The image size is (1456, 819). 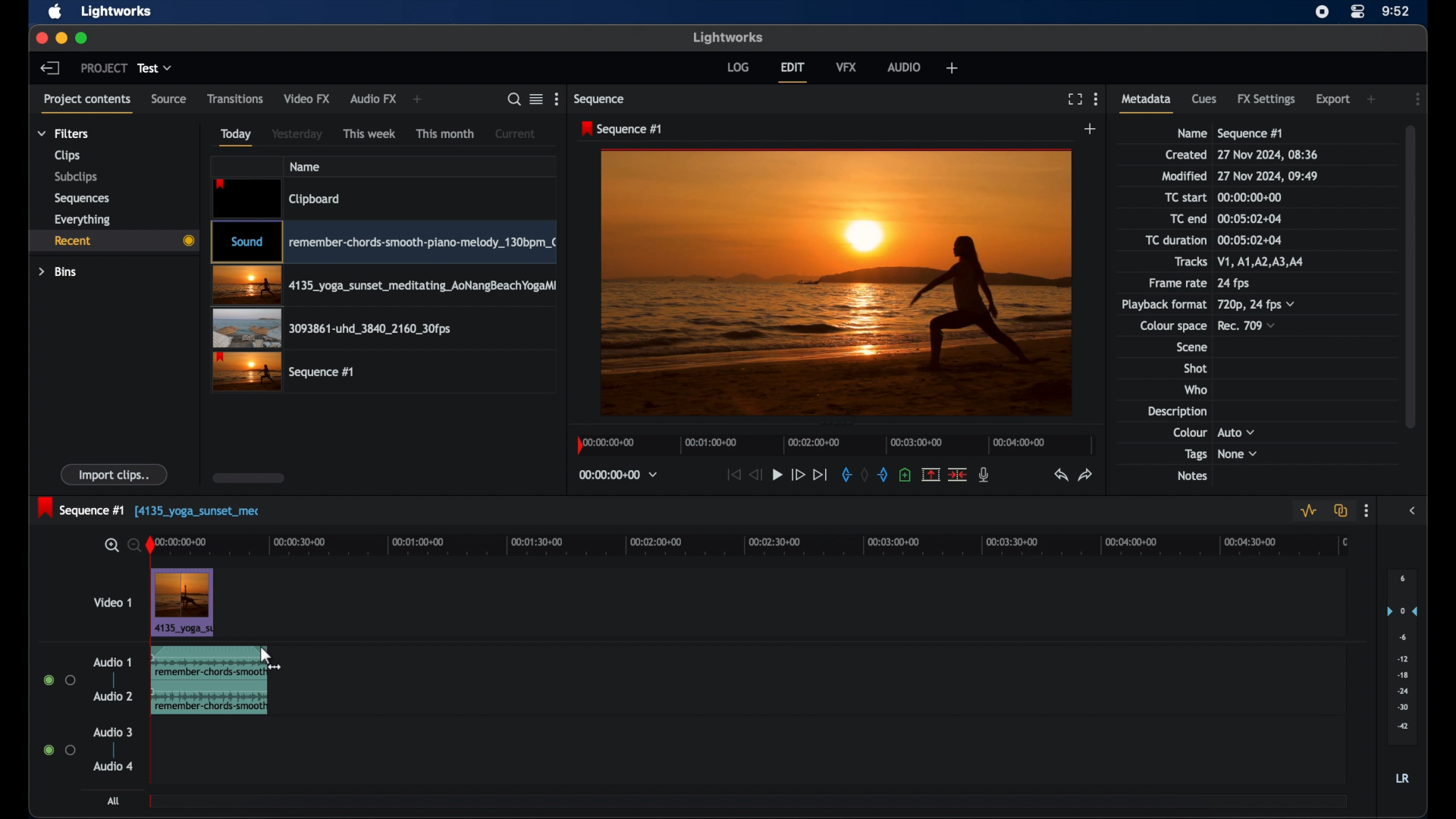 I want to click on rec709, so click(x=1247, y=325).